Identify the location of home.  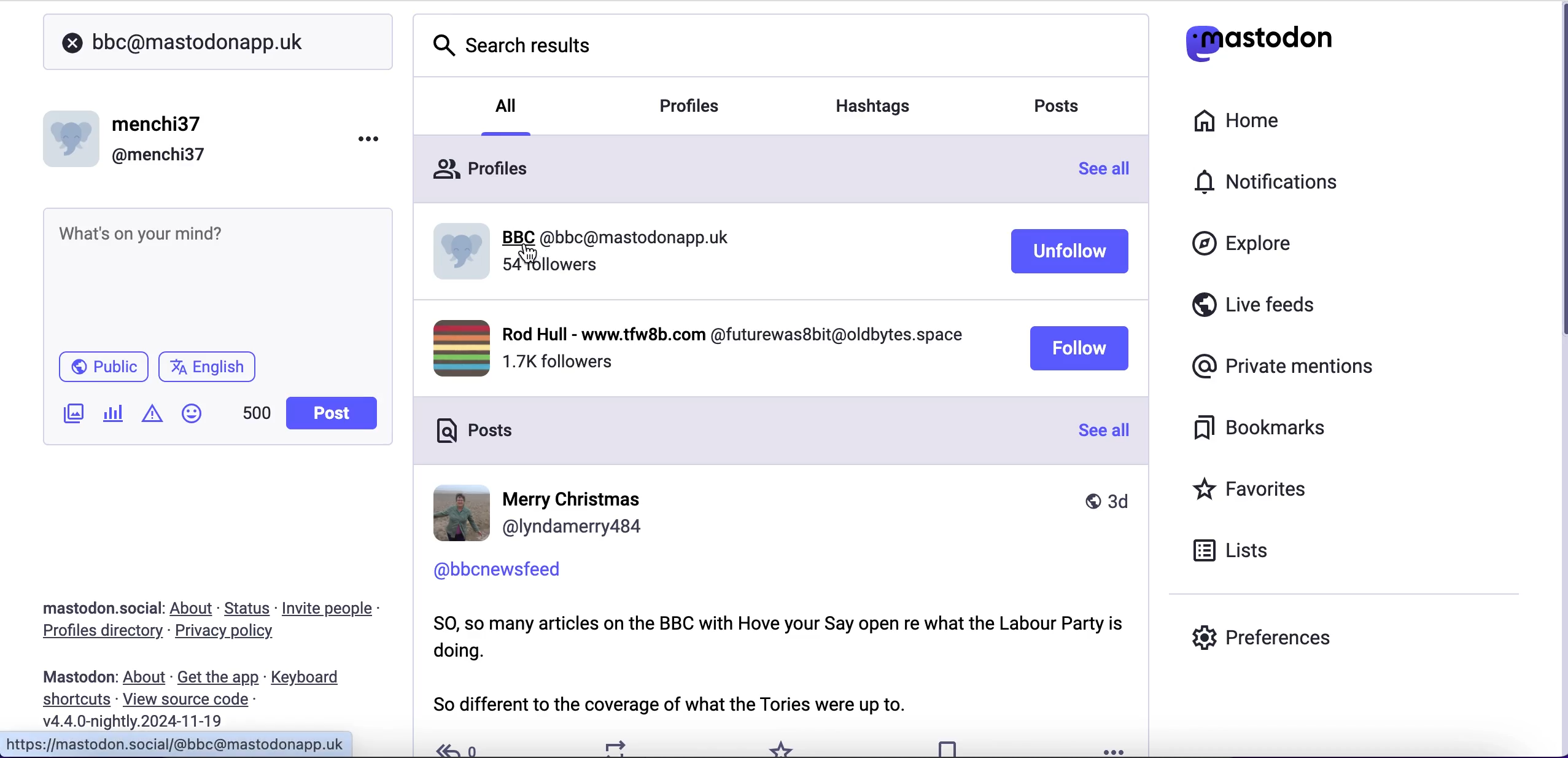
(1234, 121).